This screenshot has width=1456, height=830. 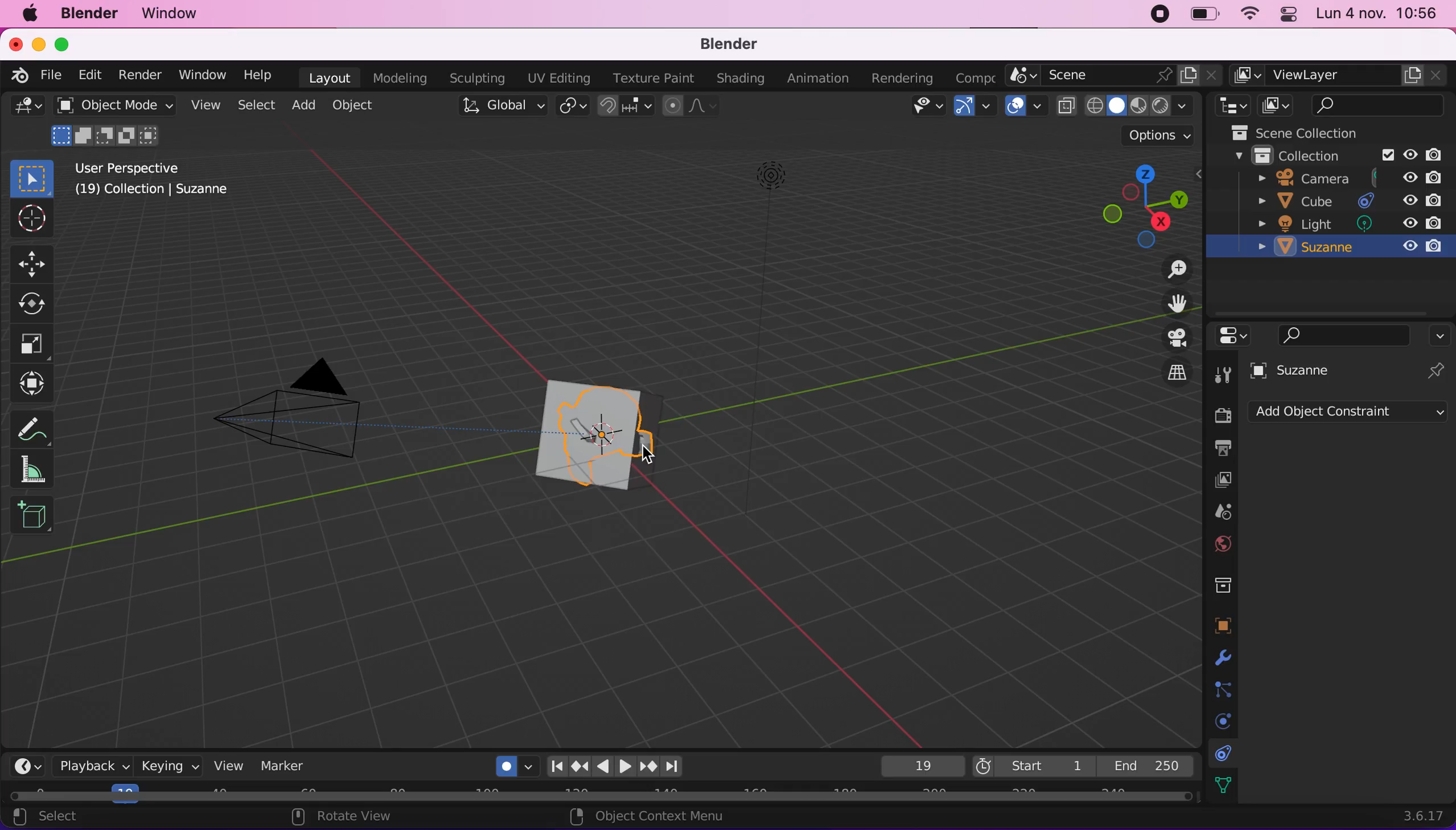 What do you see at coordinates (350, 817) in the screenshot?
I see `rotate view` at bounding box center [350, 817].